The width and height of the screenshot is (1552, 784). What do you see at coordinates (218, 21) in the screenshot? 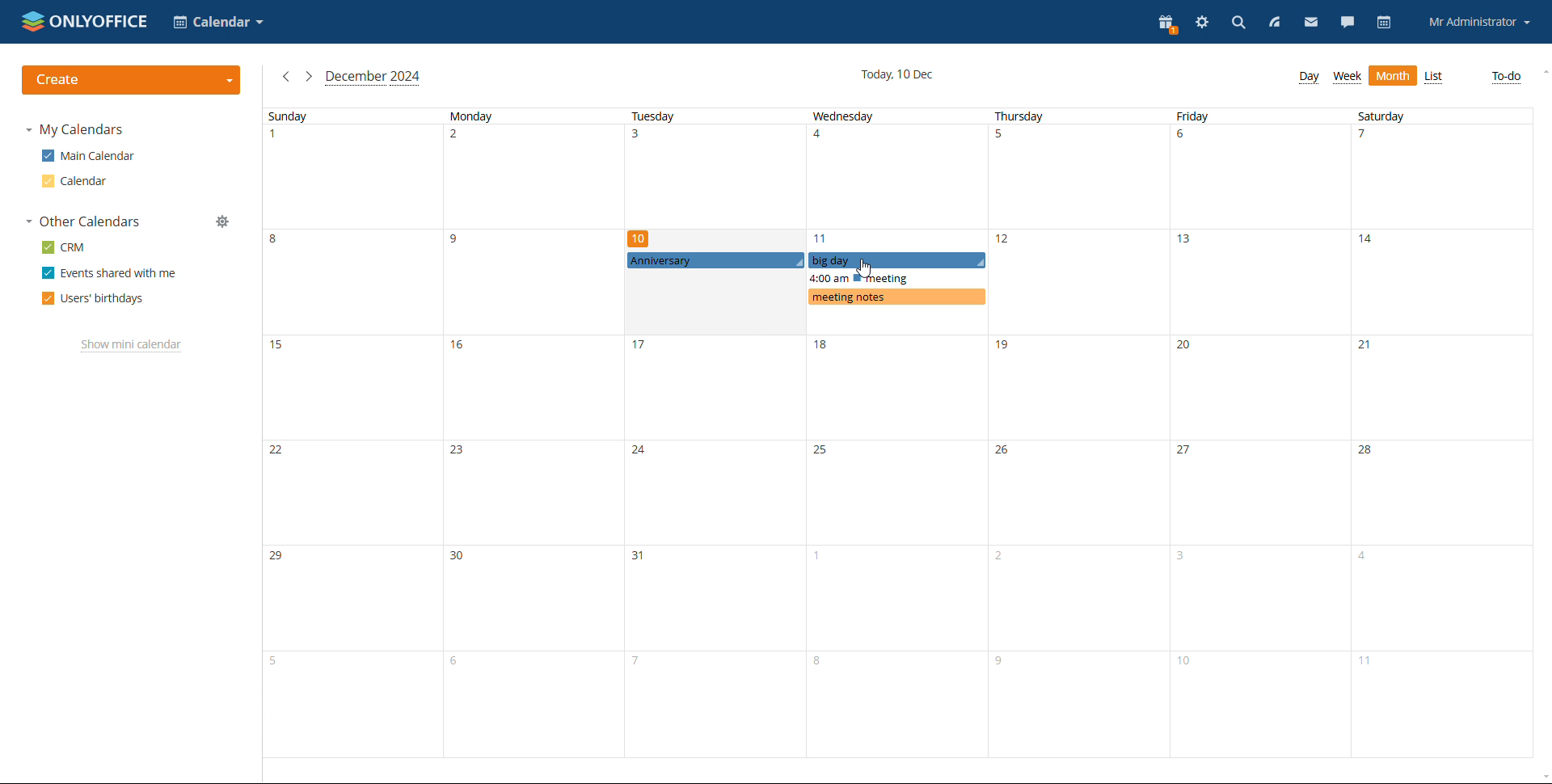
I see `select application` at bounding box center [218, 21].